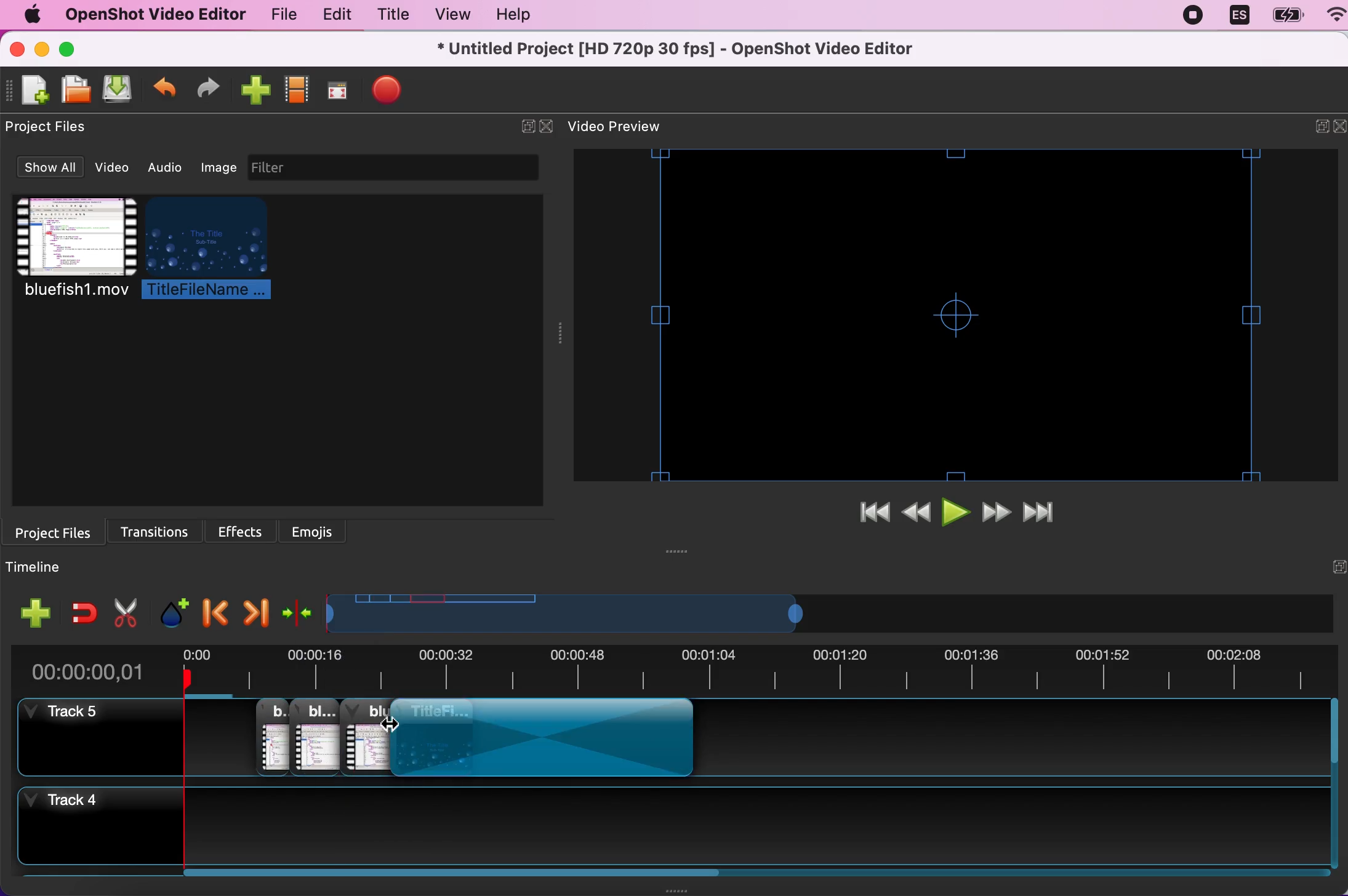  What do you see at coordinates (214, 609) in the screenshot?
I see `previous marker` at bounding box center [214, 609].